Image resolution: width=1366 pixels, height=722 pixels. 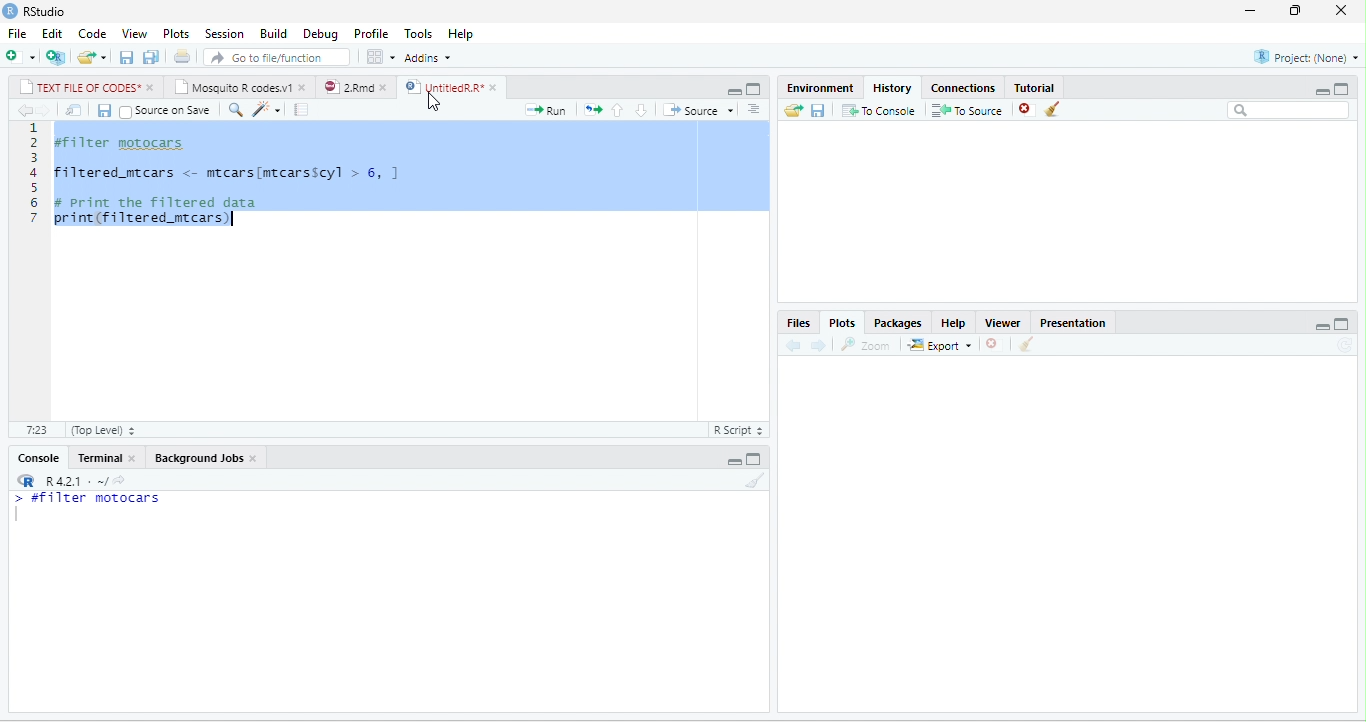 I want to click on rerun, so click(x=593, y=110).